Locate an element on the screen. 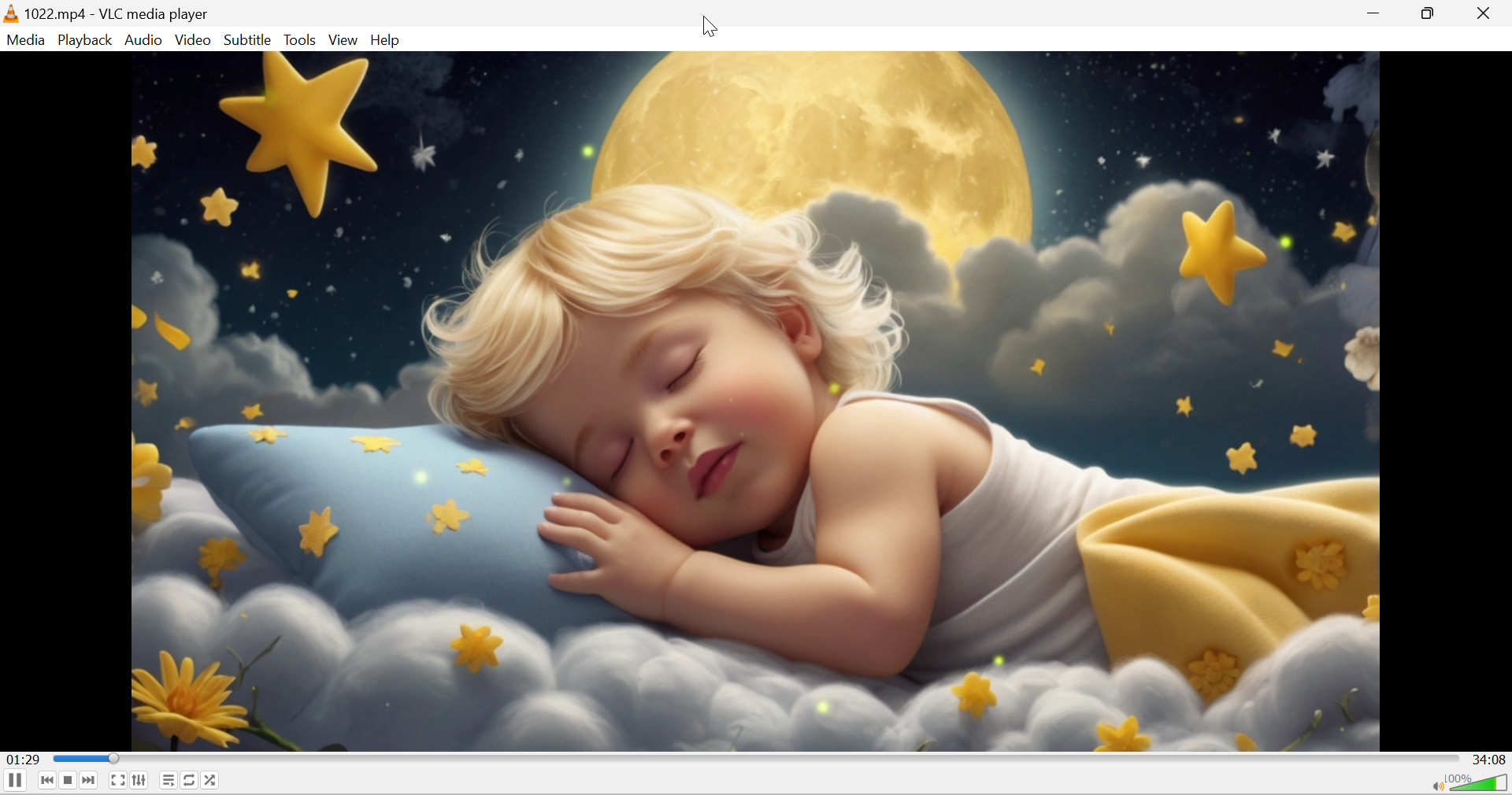 The height and width of the screenshot is (795, 1512). Restore down is located at coordinates (1429, 13).